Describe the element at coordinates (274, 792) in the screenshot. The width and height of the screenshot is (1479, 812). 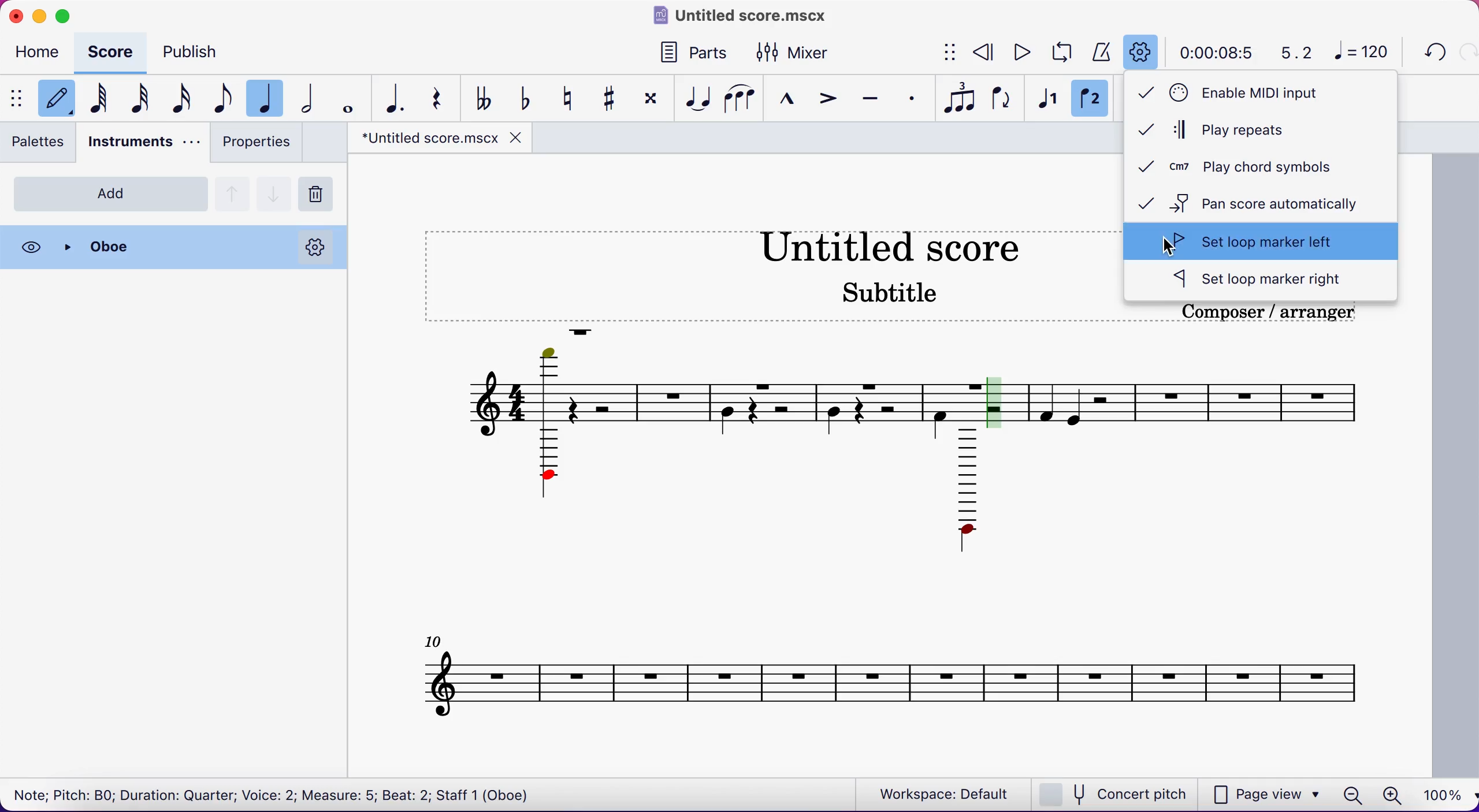
I see `Note; Pitch: BO; Duration: Quarter; Voice: 2; Measure: 5; Beat: 2; Staff 1 (Oboe)` at that location.